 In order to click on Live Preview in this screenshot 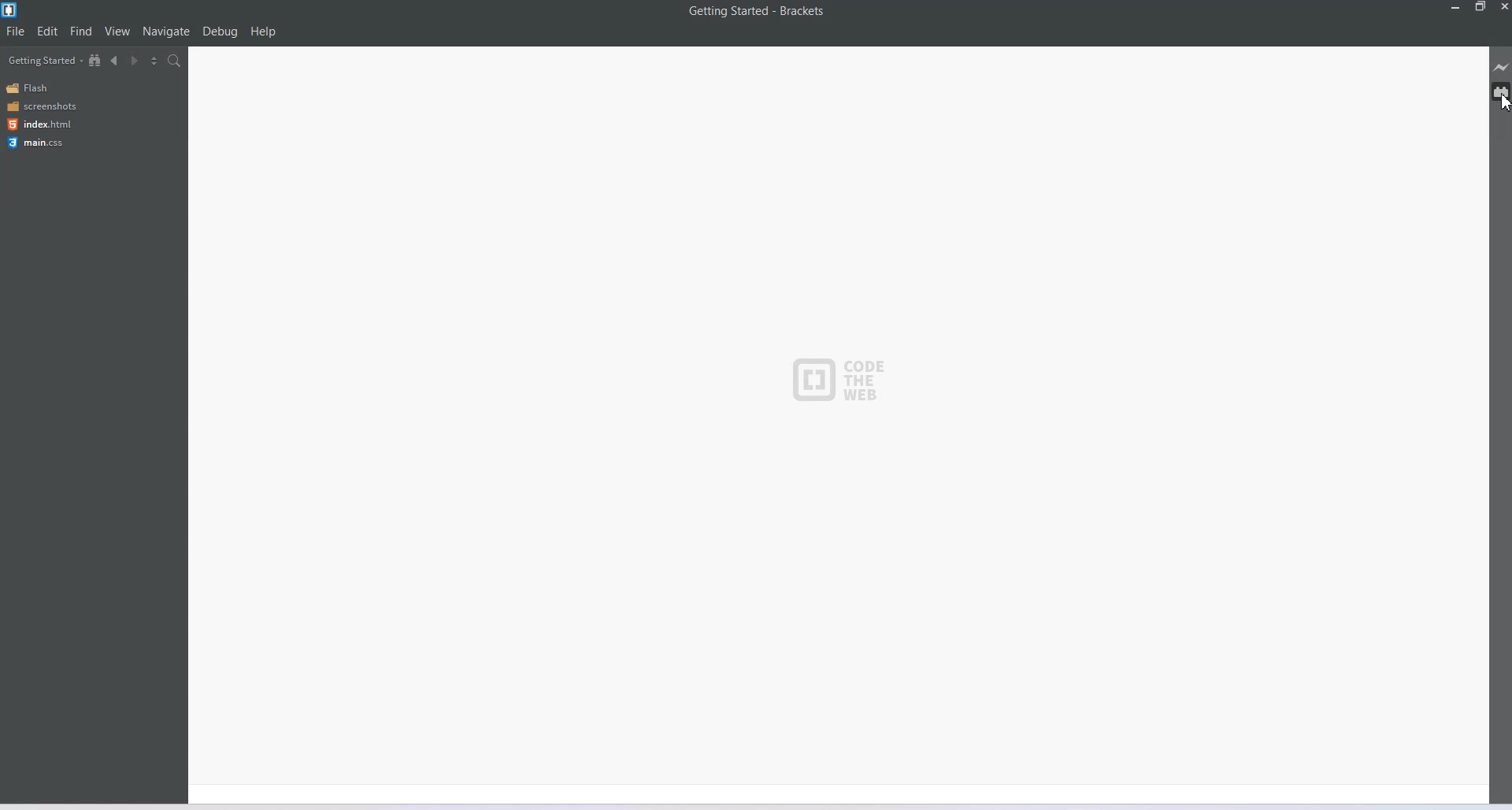, I will do `click(1501, 67)`.